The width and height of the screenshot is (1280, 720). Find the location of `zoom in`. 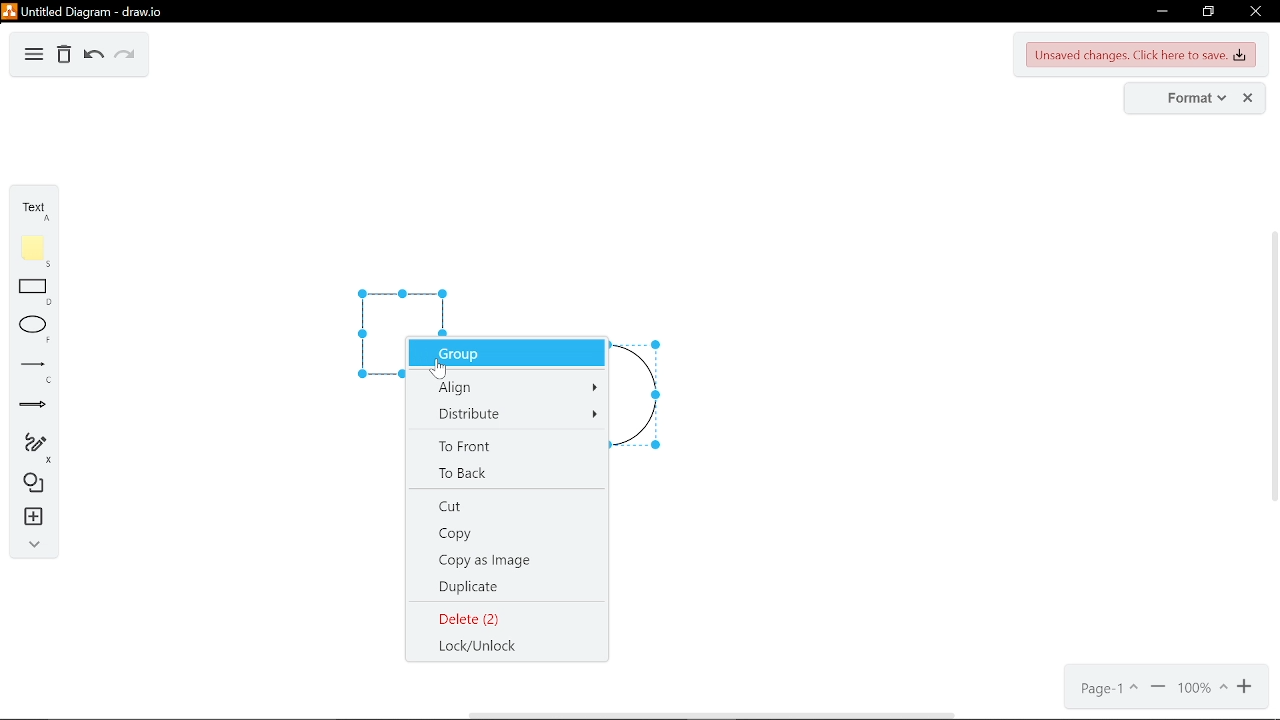

zoom in is located at coordinates (1246, 690).